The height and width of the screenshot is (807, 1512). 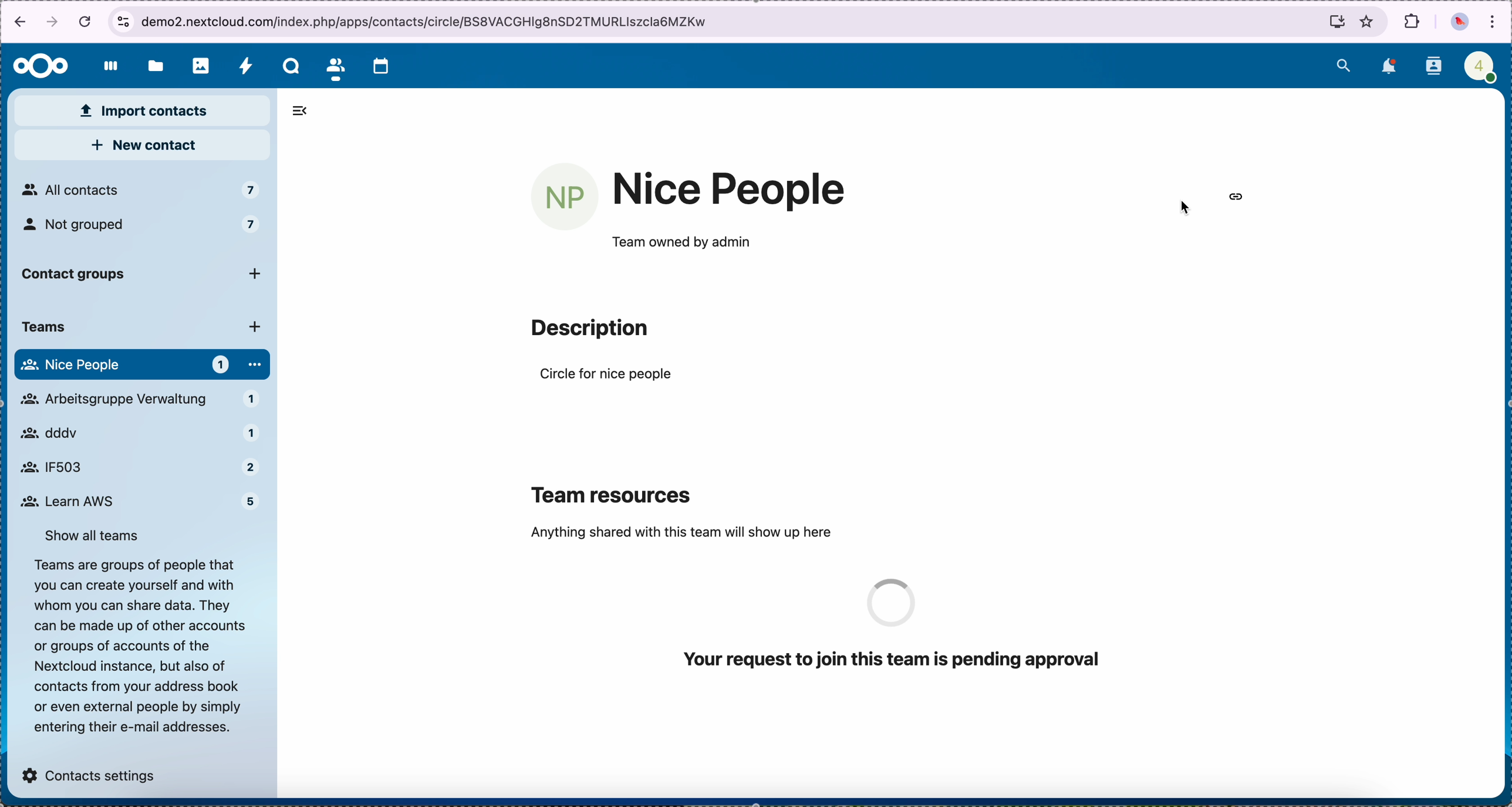 What do you see at coordinates (607, 376) in the screenshot?
I see `circle for nice people` at bounding box center [607, 376].